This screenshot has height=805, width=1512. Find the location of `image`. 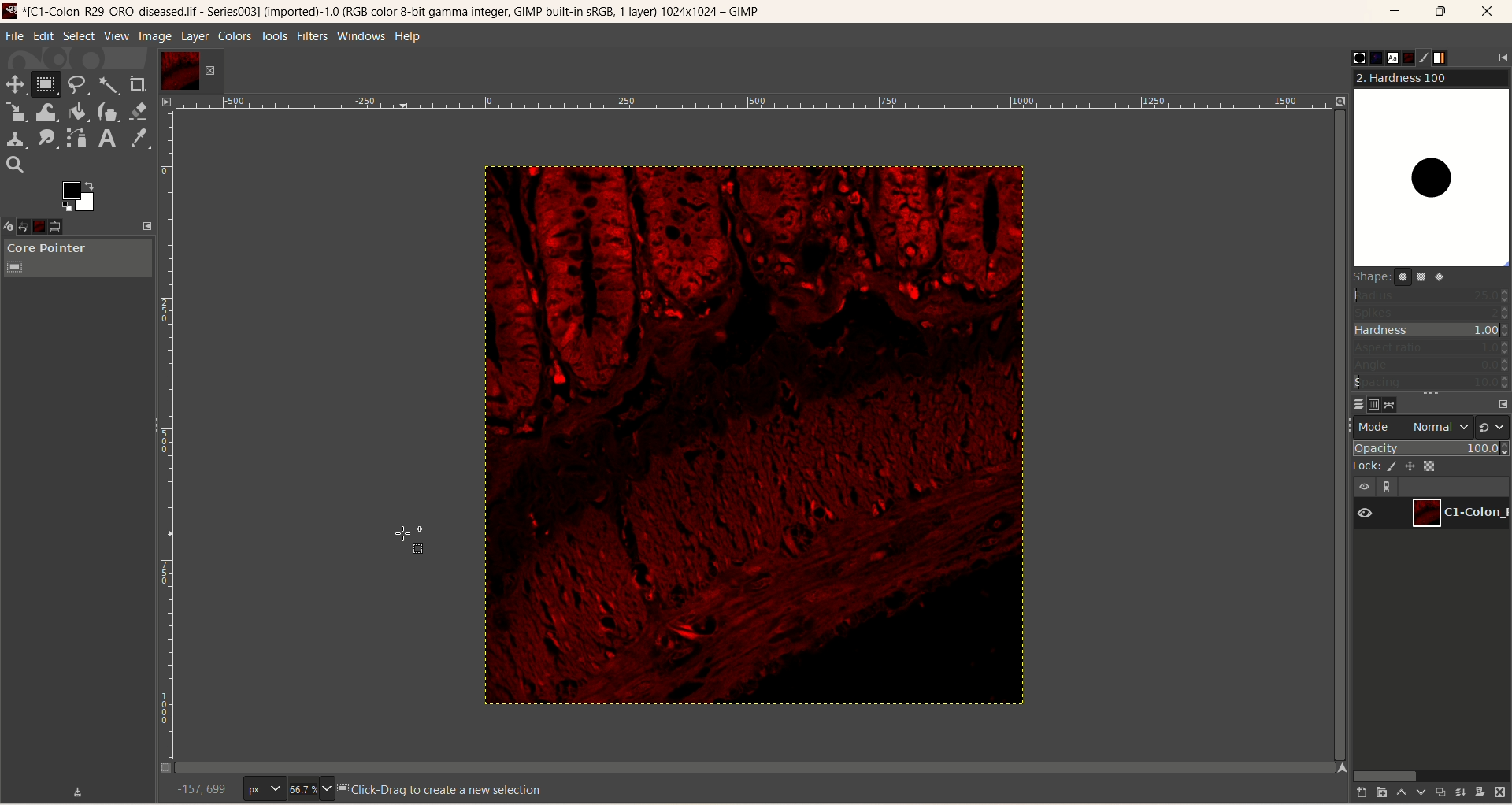

image is located at coordinates (741, 440).